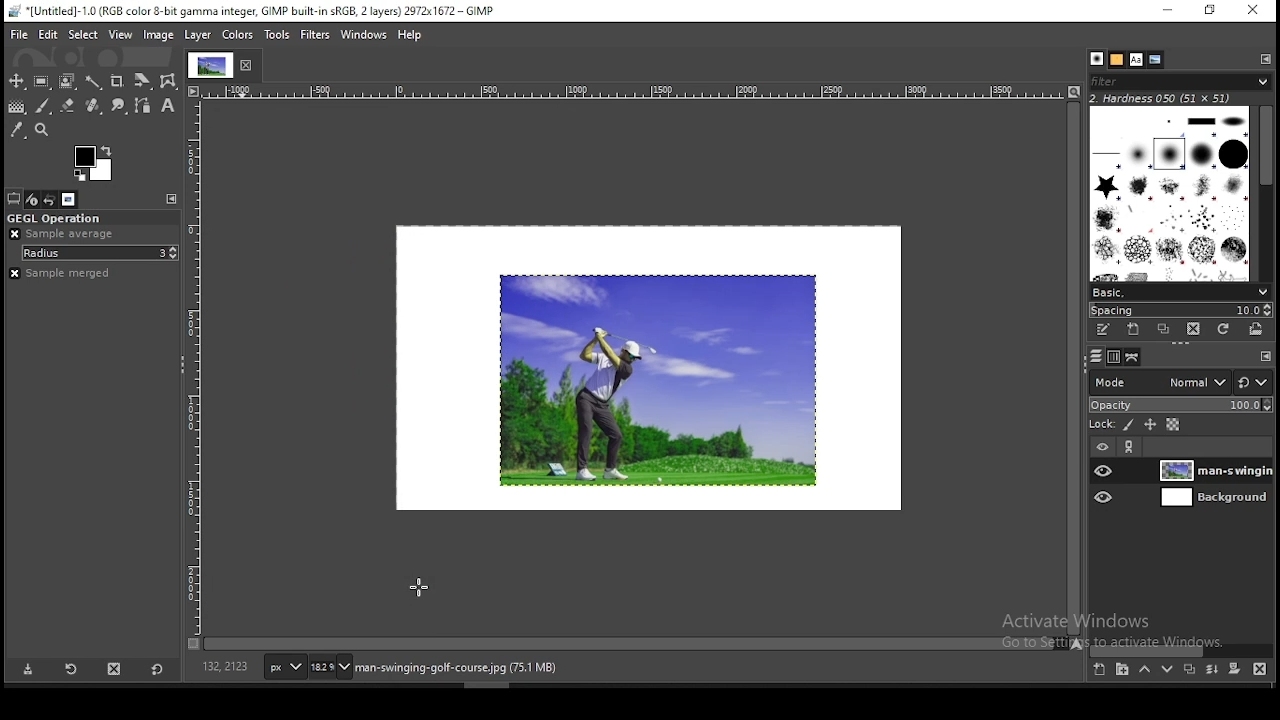 The image size is (1280, 720). What do you see at coordinates (1098, 670) in the screenshot?
I see `new layer group` at bounding box center [1098, 670].